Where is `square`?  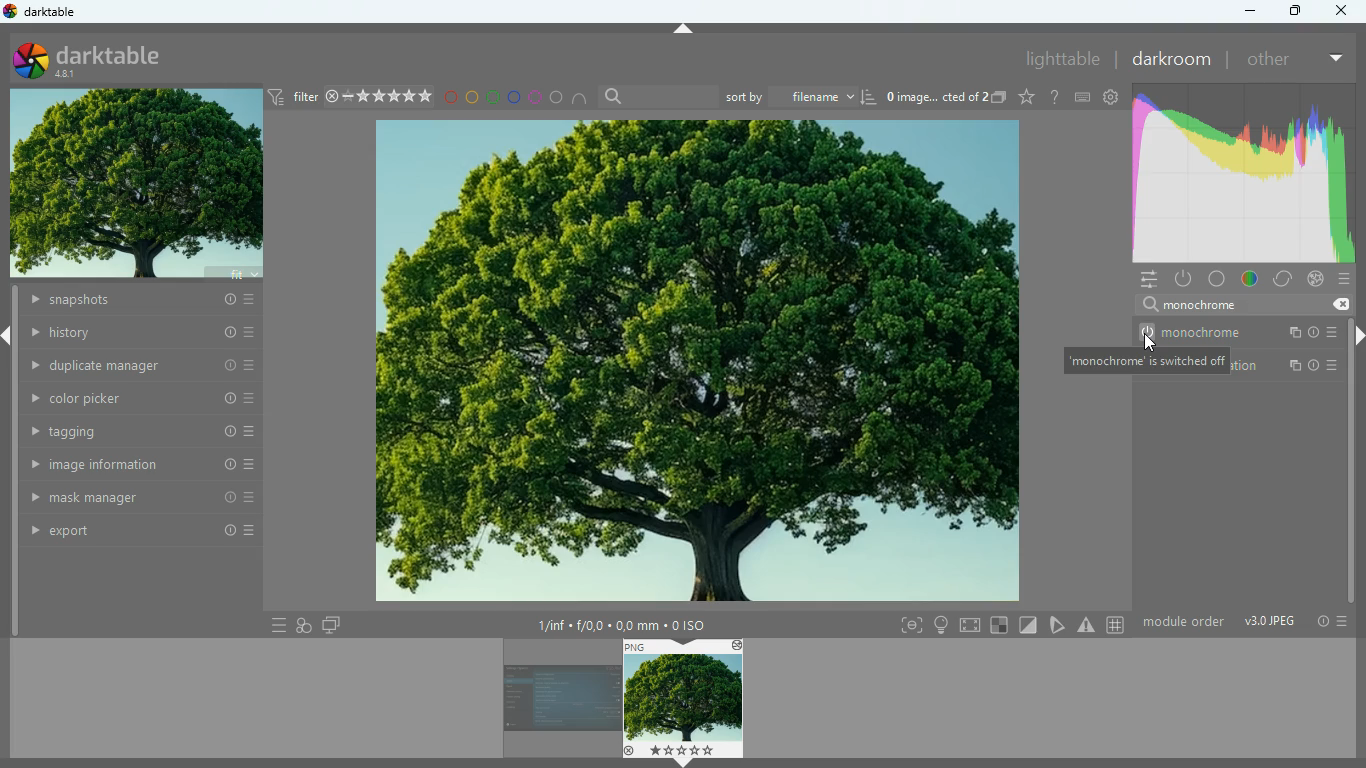 square is located at coordinates (998, 624).